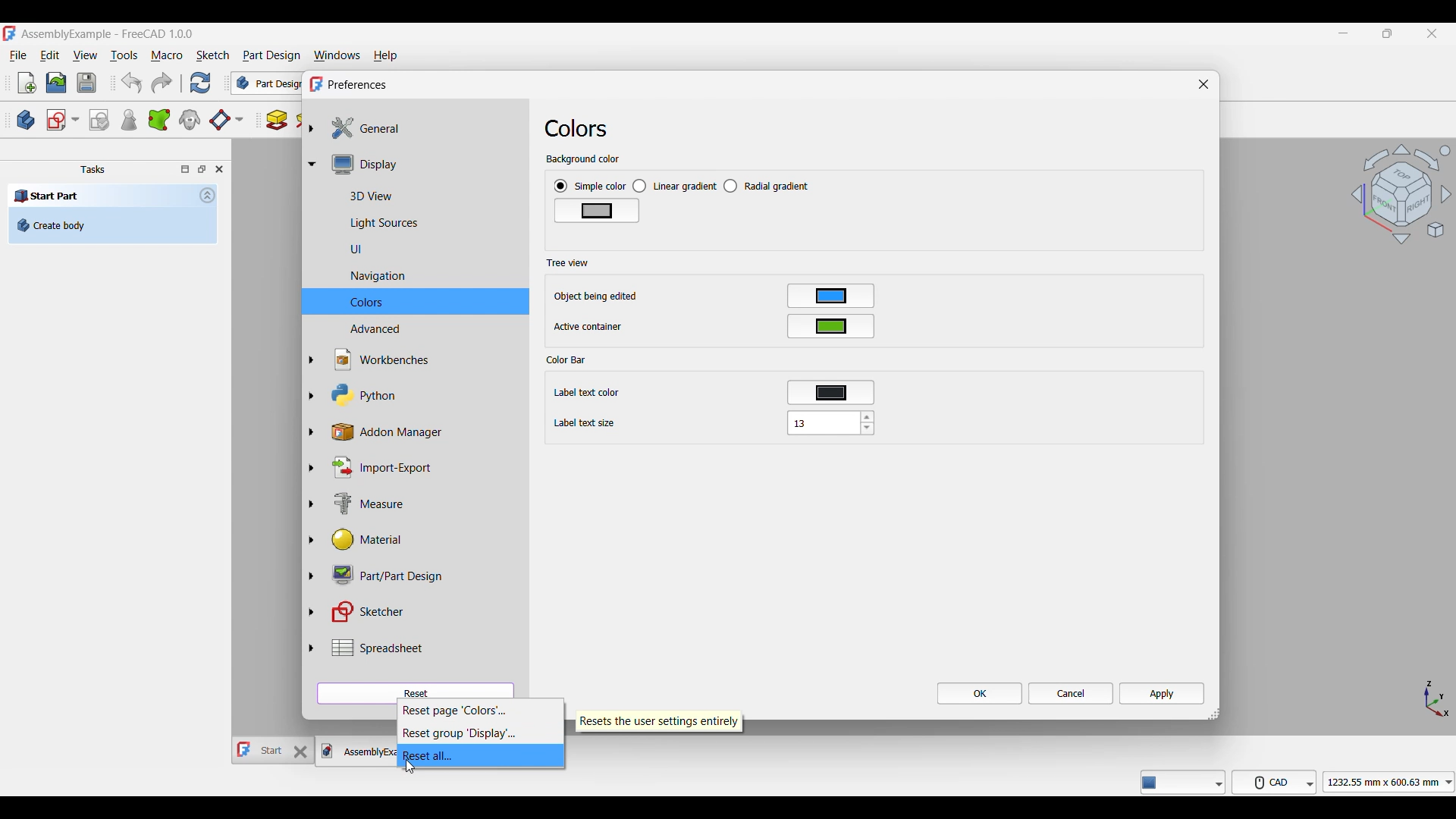 The height and width of the screenshot is (819, 1456). I want to click on CAD navigation style options, so click(1274, 782).